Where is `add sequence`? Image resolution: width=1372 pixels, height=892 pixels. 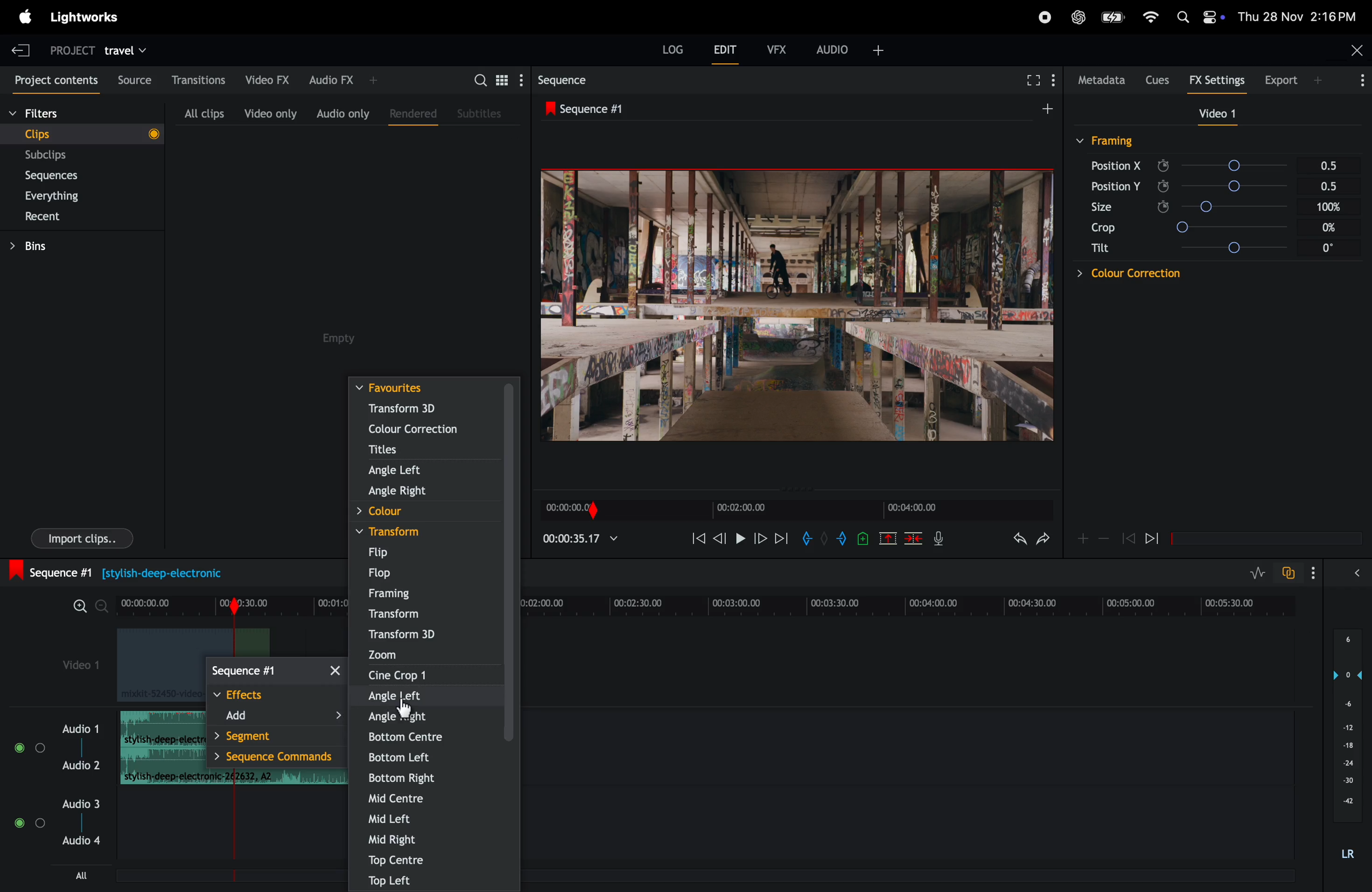 add sequence is located at coordinates (1046, 107).